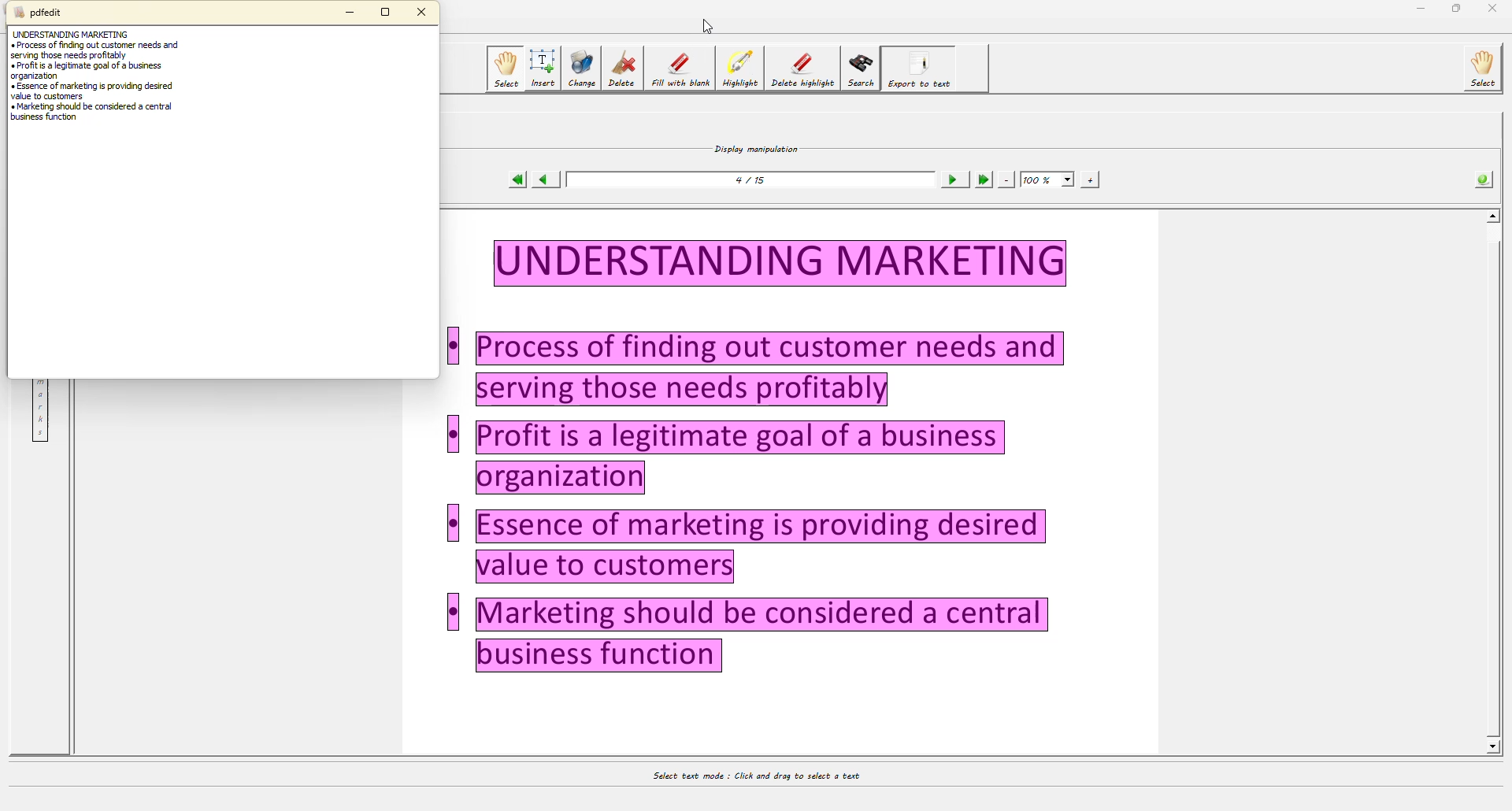 The height and width of the screenshot is (811, 1512). What do you see at coordinates (621, 70) in the screenshot?
I see `delete` at bounding box center [621, 70].